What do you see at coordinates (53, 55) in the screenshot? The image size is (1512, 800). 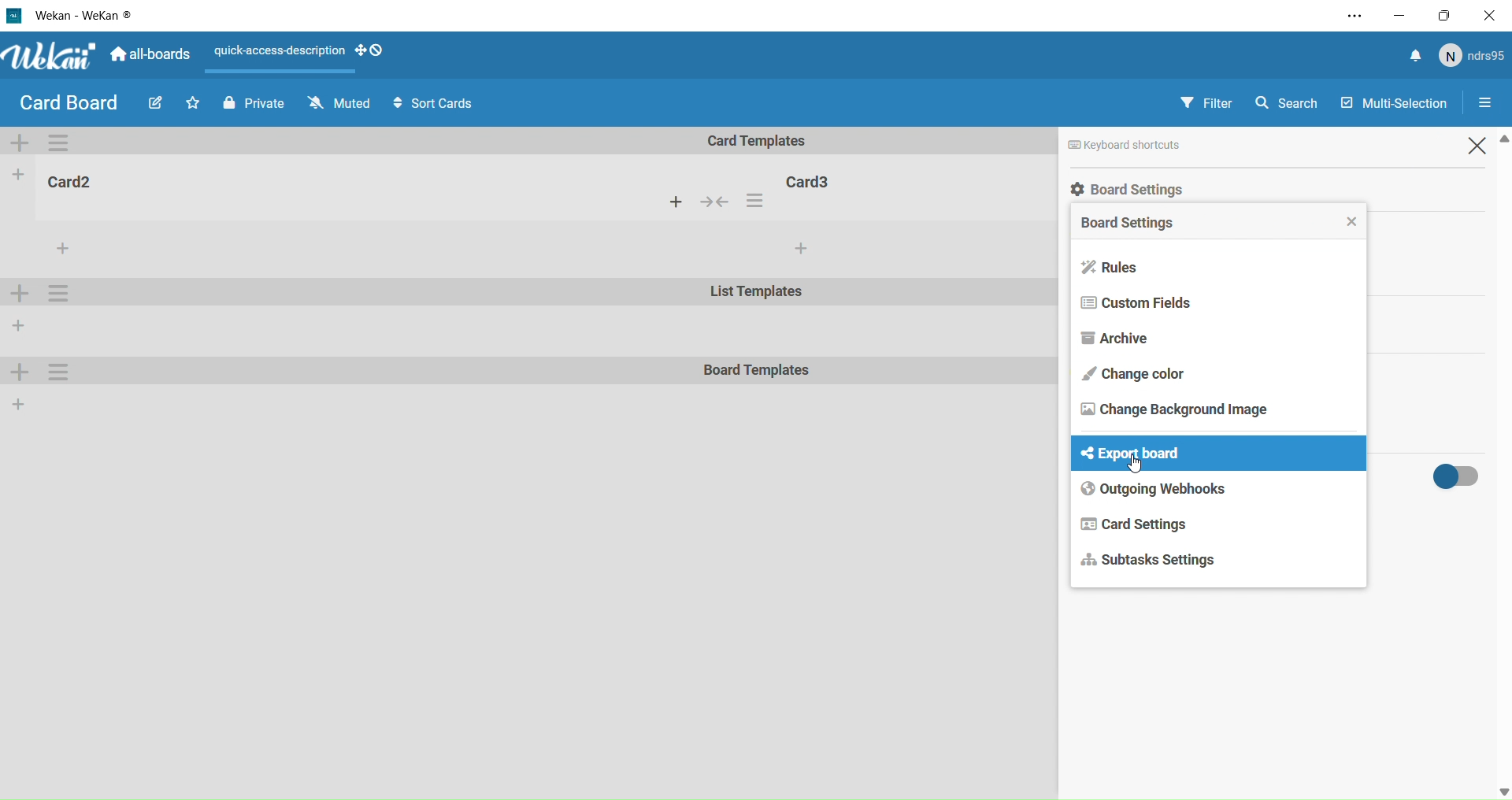 I see `` at bounding box center [53, 55].